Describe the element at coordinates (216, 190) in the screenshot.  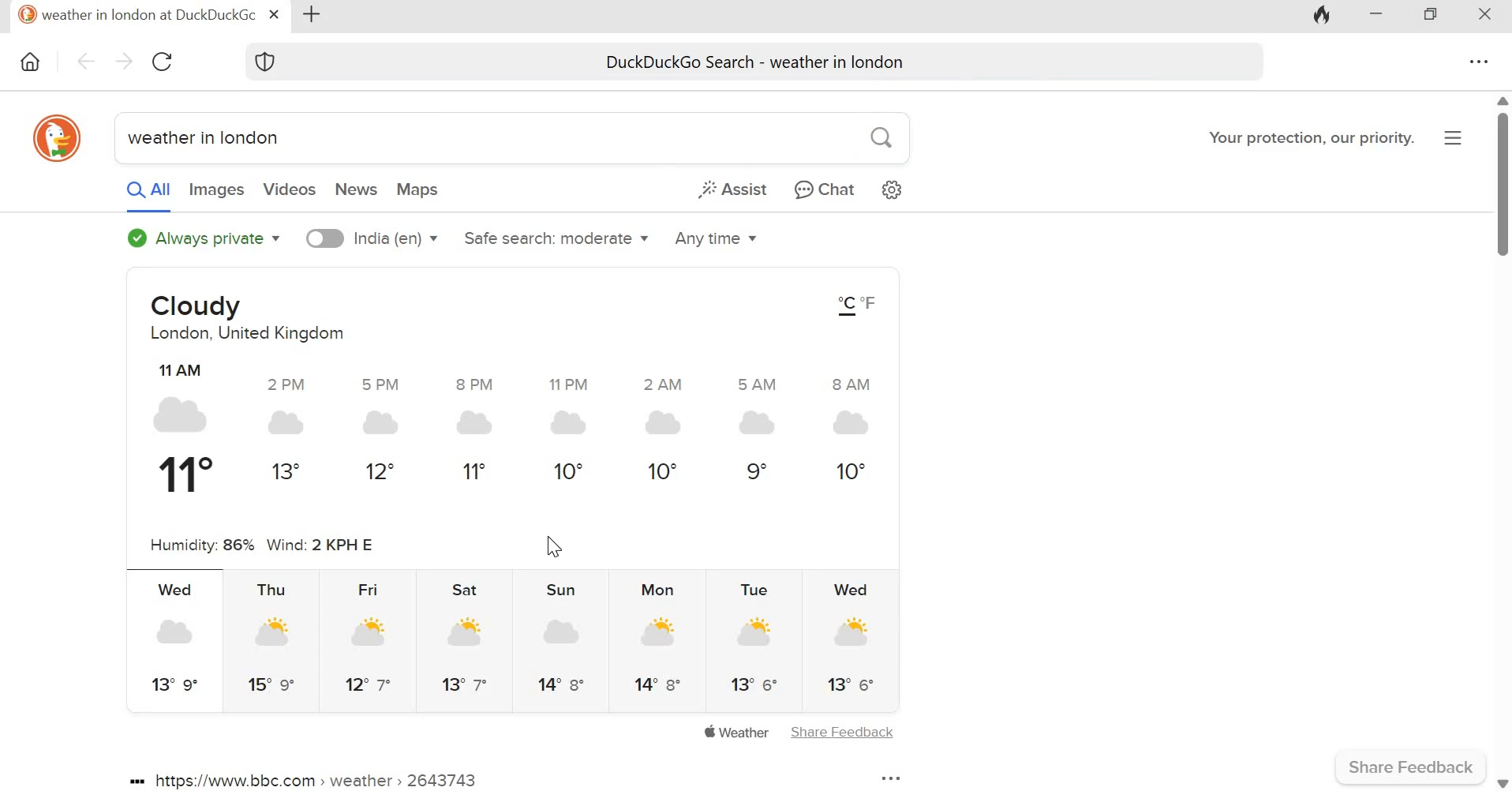
I see `Images` at that location.